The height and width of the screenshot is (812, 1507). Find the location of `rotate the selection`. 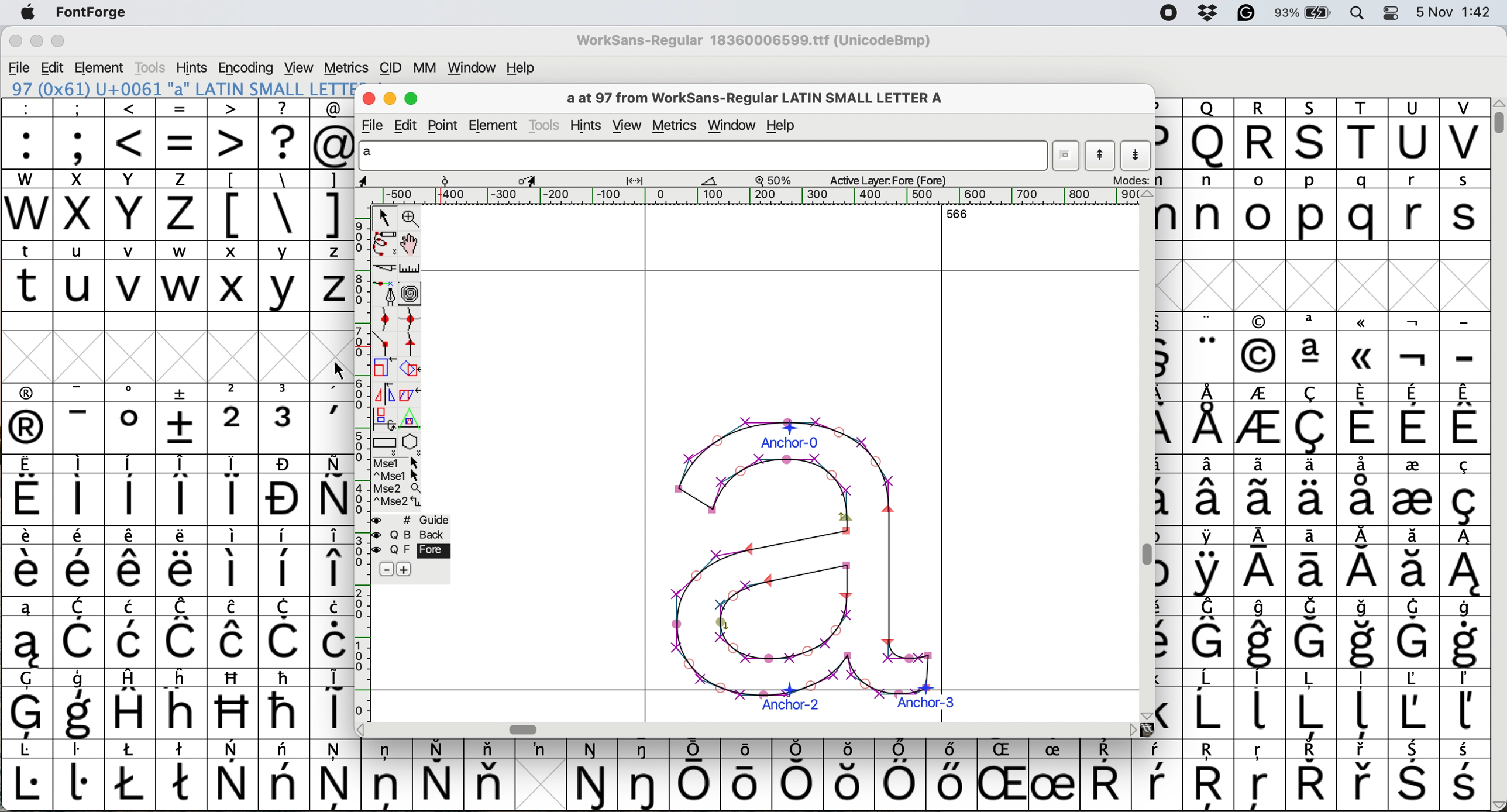

rotate the selection is located at coordinates (410, 370).